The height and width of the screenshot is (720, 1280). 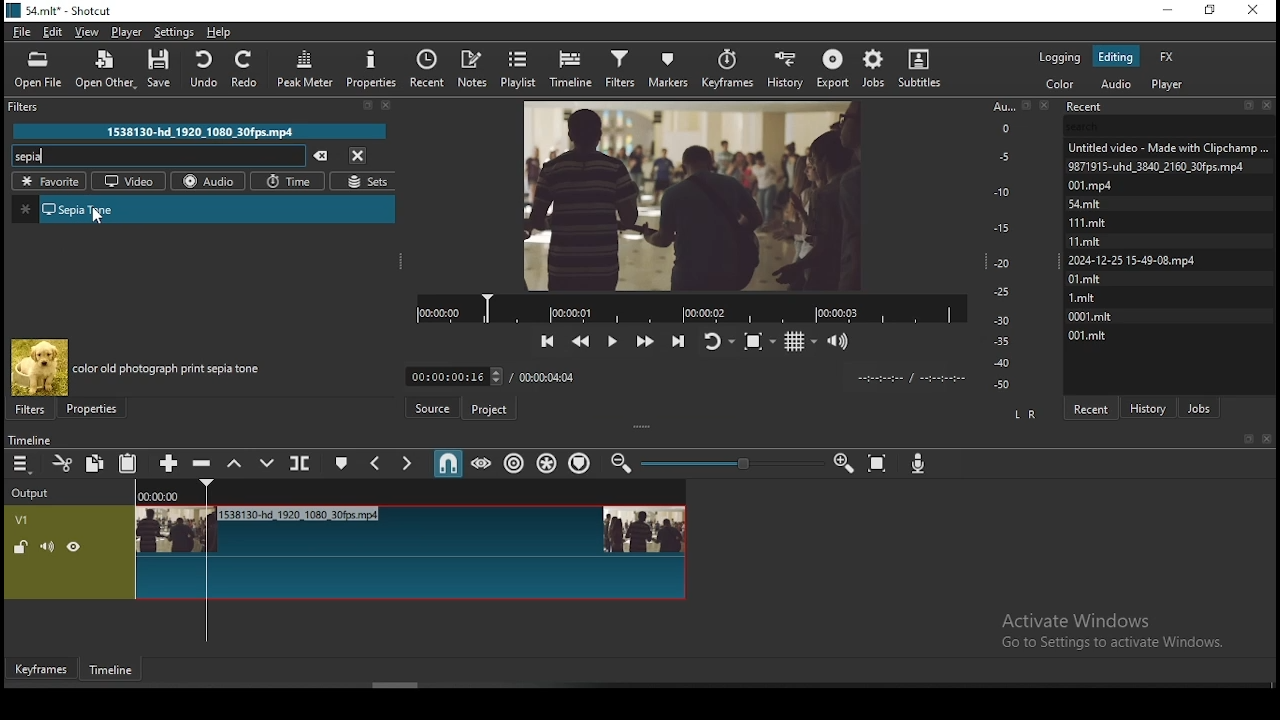 What do you see at coordinates (219, 31) in the screenshot?
I see `help` at bounding box center [219, 31].